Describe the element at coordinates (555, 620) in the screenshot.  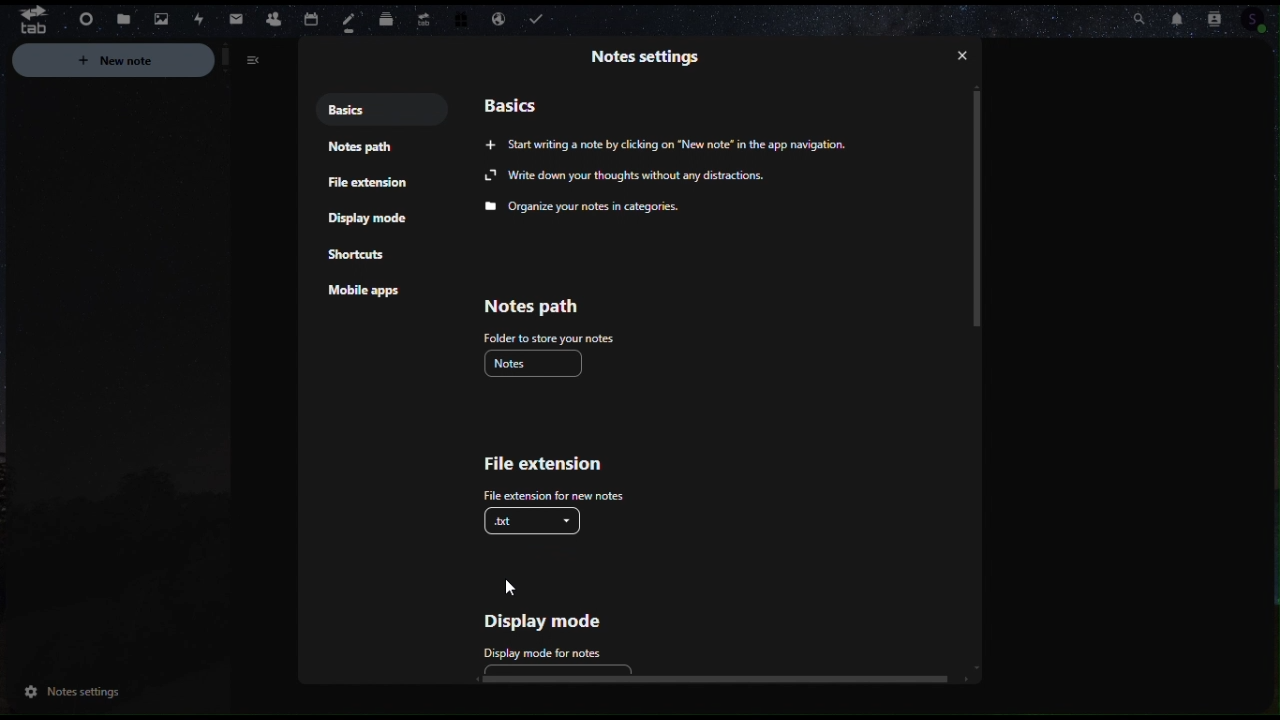
I see `Display mode` at that location.